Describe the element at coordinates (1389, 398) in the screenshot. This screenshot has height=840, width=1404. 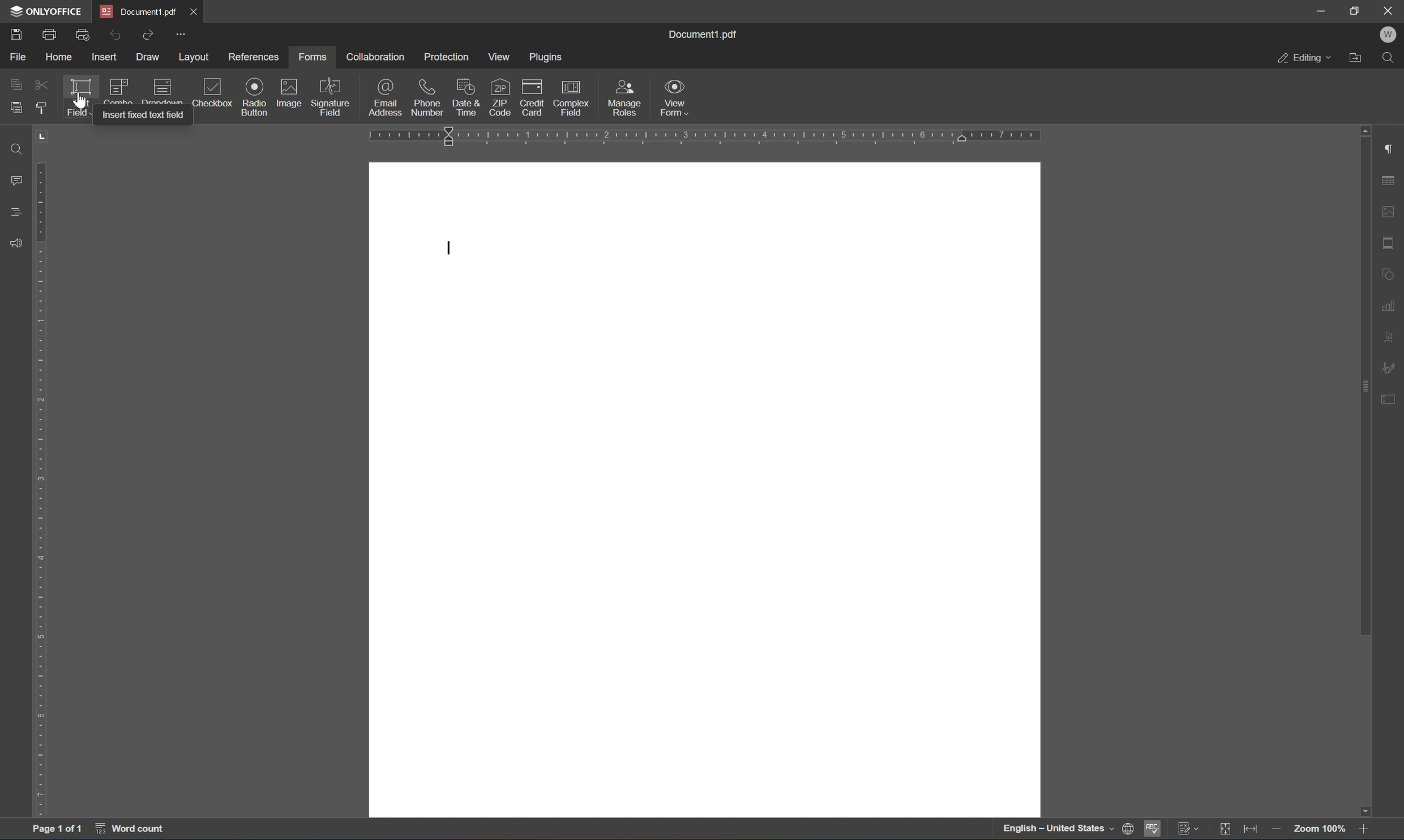
I see `form settings` at that location.